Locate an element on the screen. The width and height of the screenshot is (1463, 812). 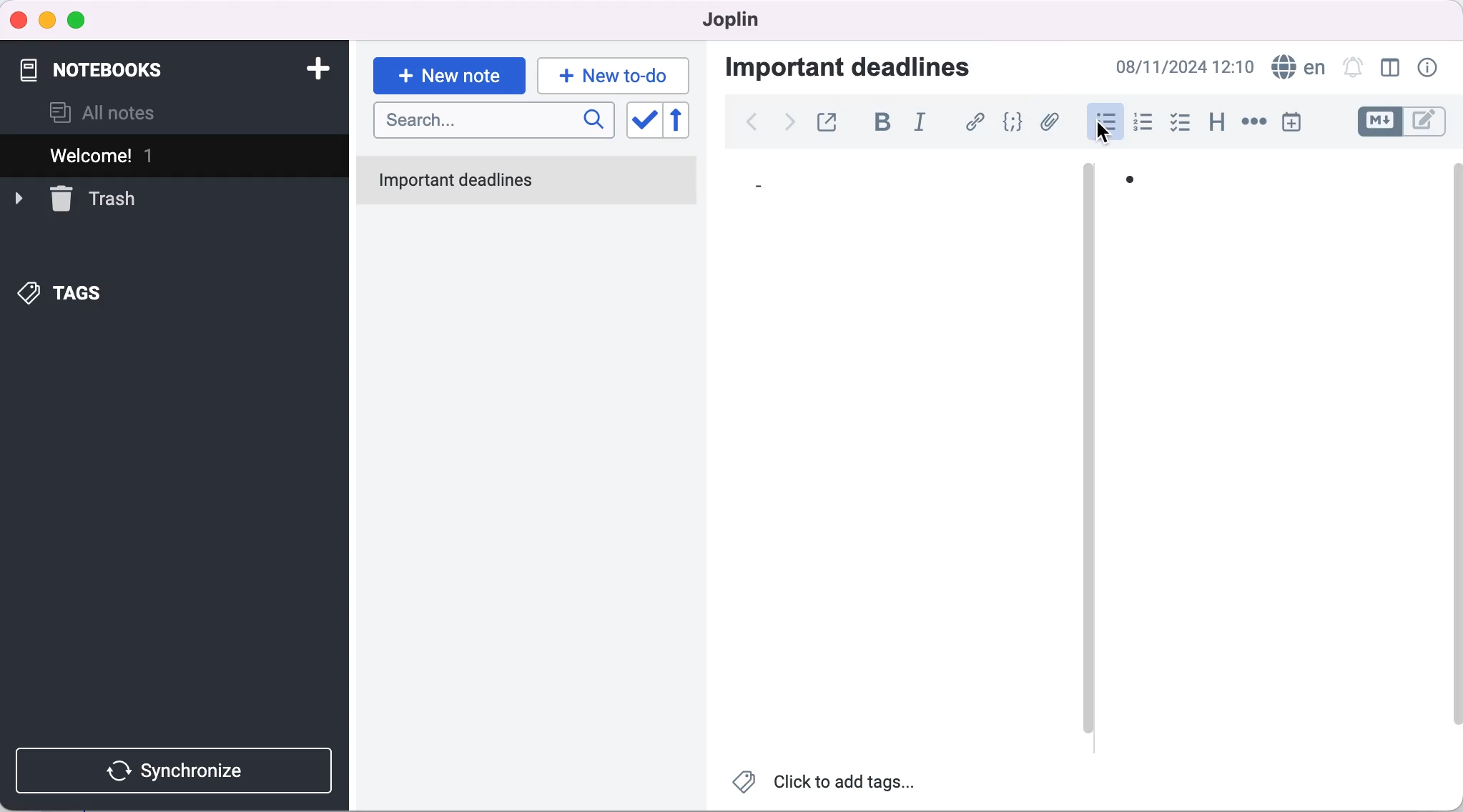
numbered list is located at coordinates (1142, 123).